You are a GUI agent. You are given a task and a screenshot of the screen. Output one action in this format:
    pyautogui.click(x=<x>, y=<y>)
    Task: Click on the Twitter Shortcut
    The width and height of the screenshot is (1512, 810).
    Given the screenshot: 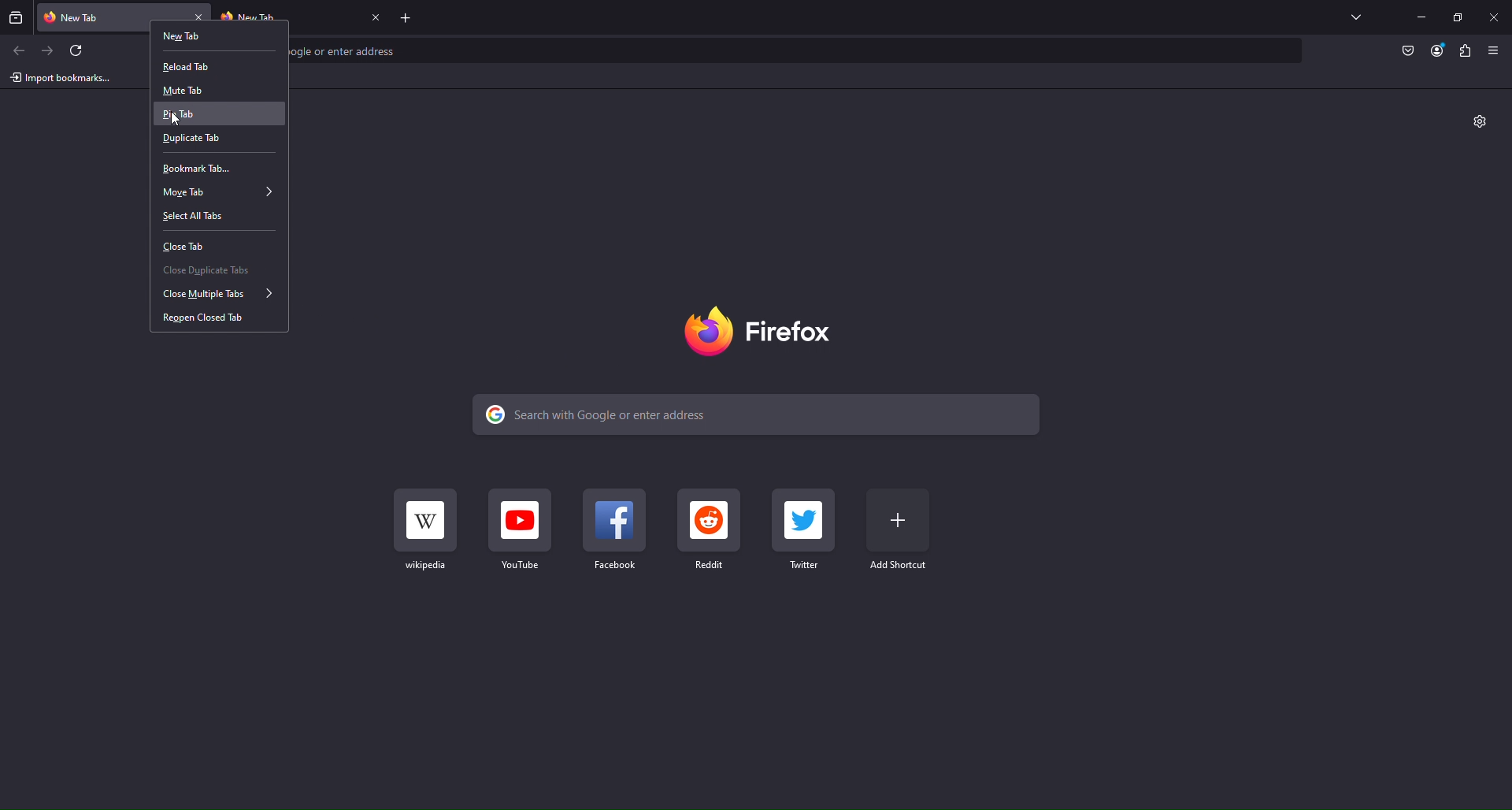 What is the action you would take?
    pyautogui.click(x=805, y=529)
    